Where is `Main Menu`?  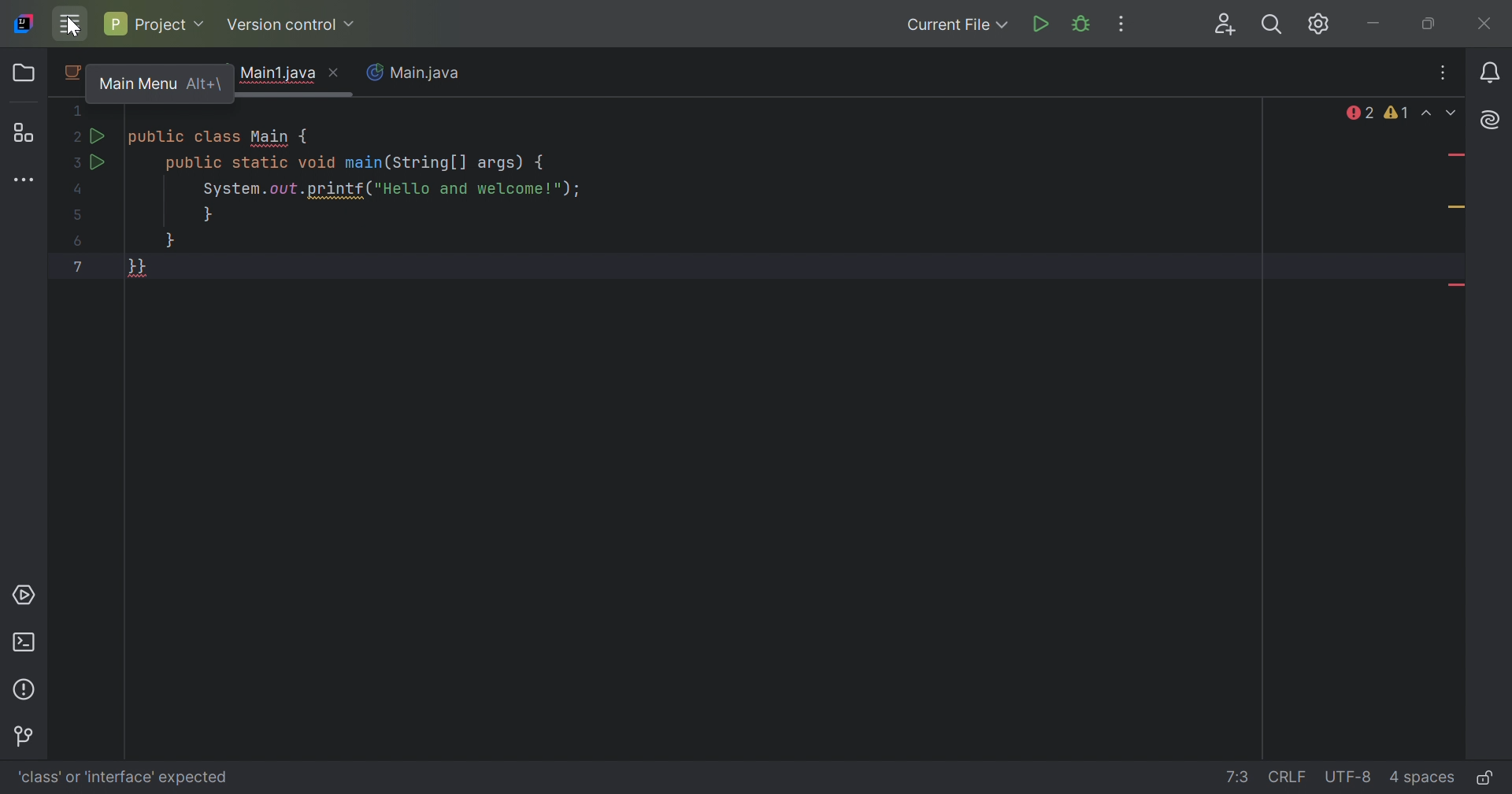 Main Menu is located at coordinates (69, 24).